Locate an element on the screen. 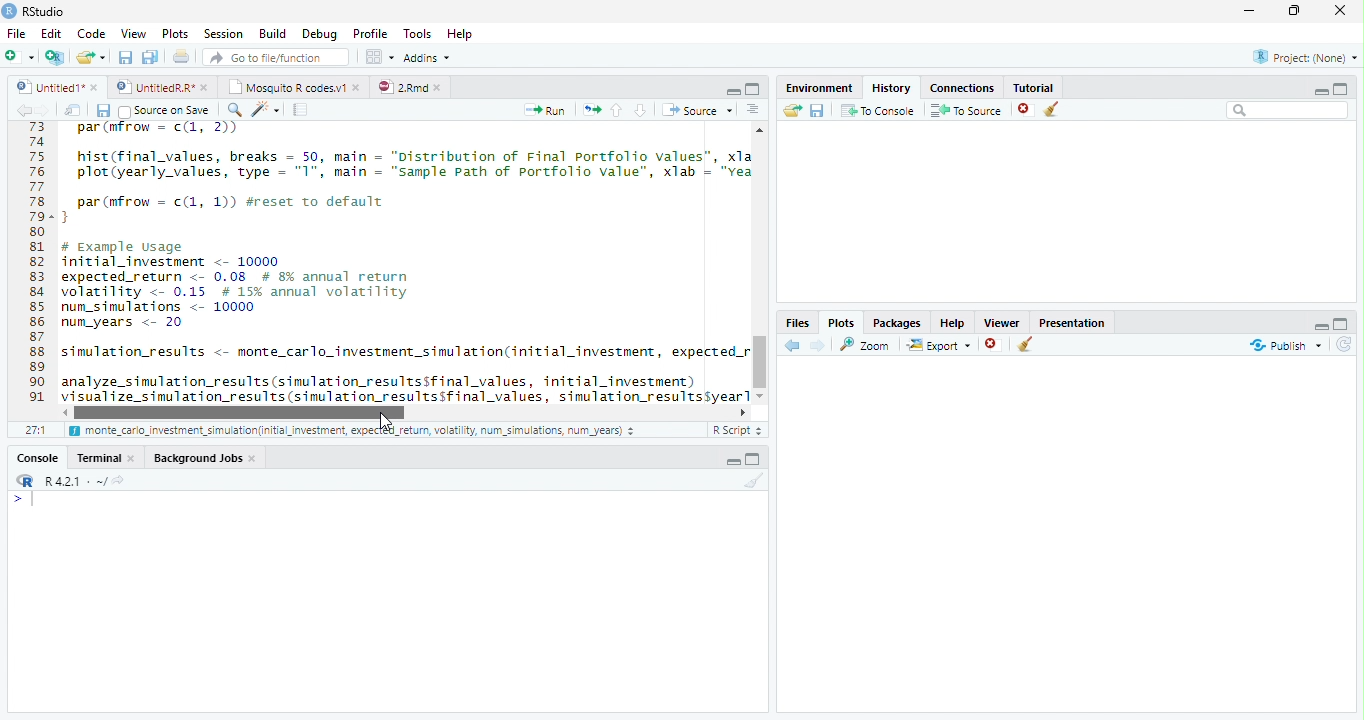 Image resolution: width=1364 pixels, height=720 pixels. Line Numbers is located at coordinates (35, 270).